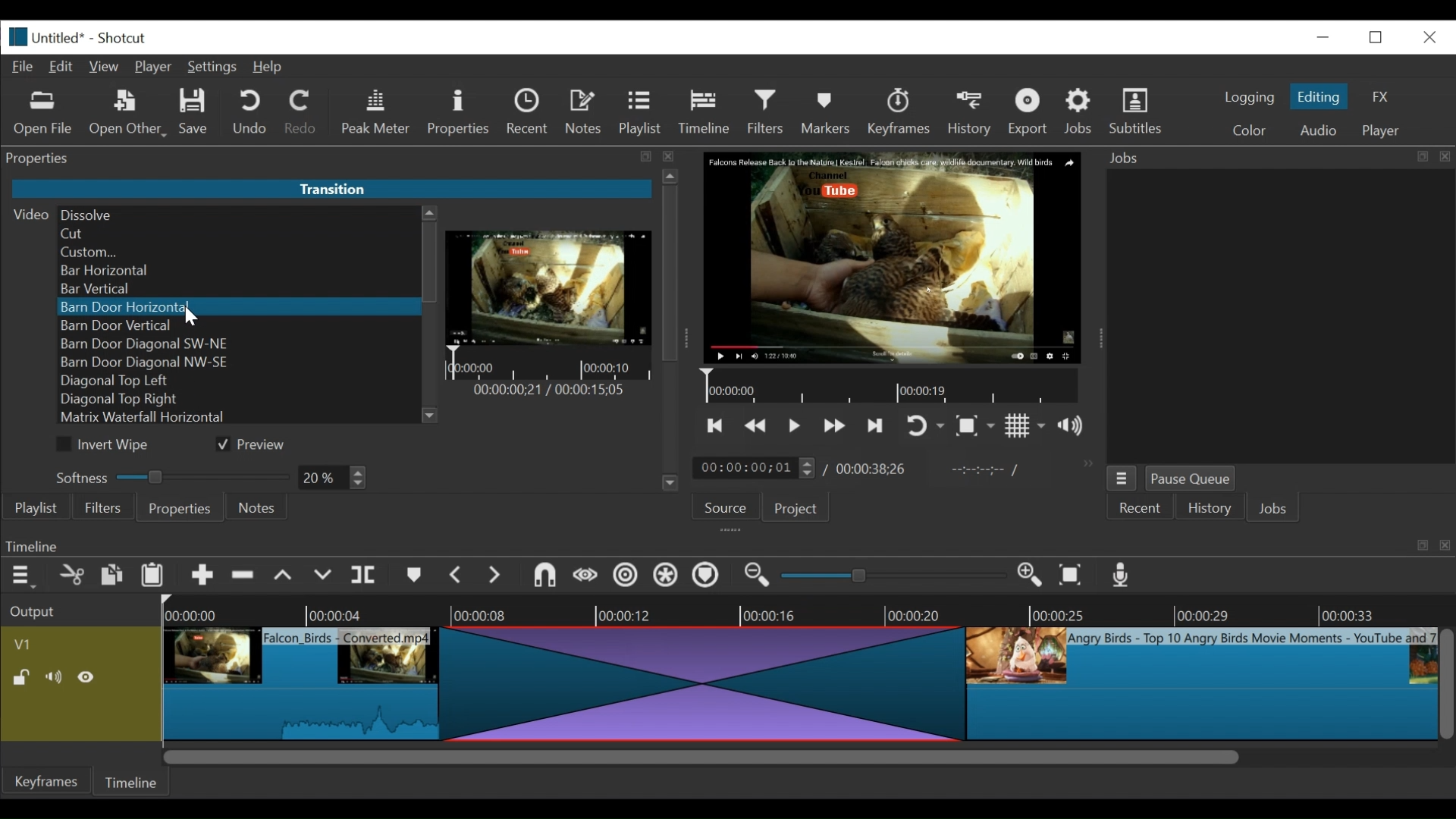 Image resolution: width=1456 pixels, height=819 pixels. Describe the element at coordinates (215, 69) in the screenshot. I see `Settings` at that location.